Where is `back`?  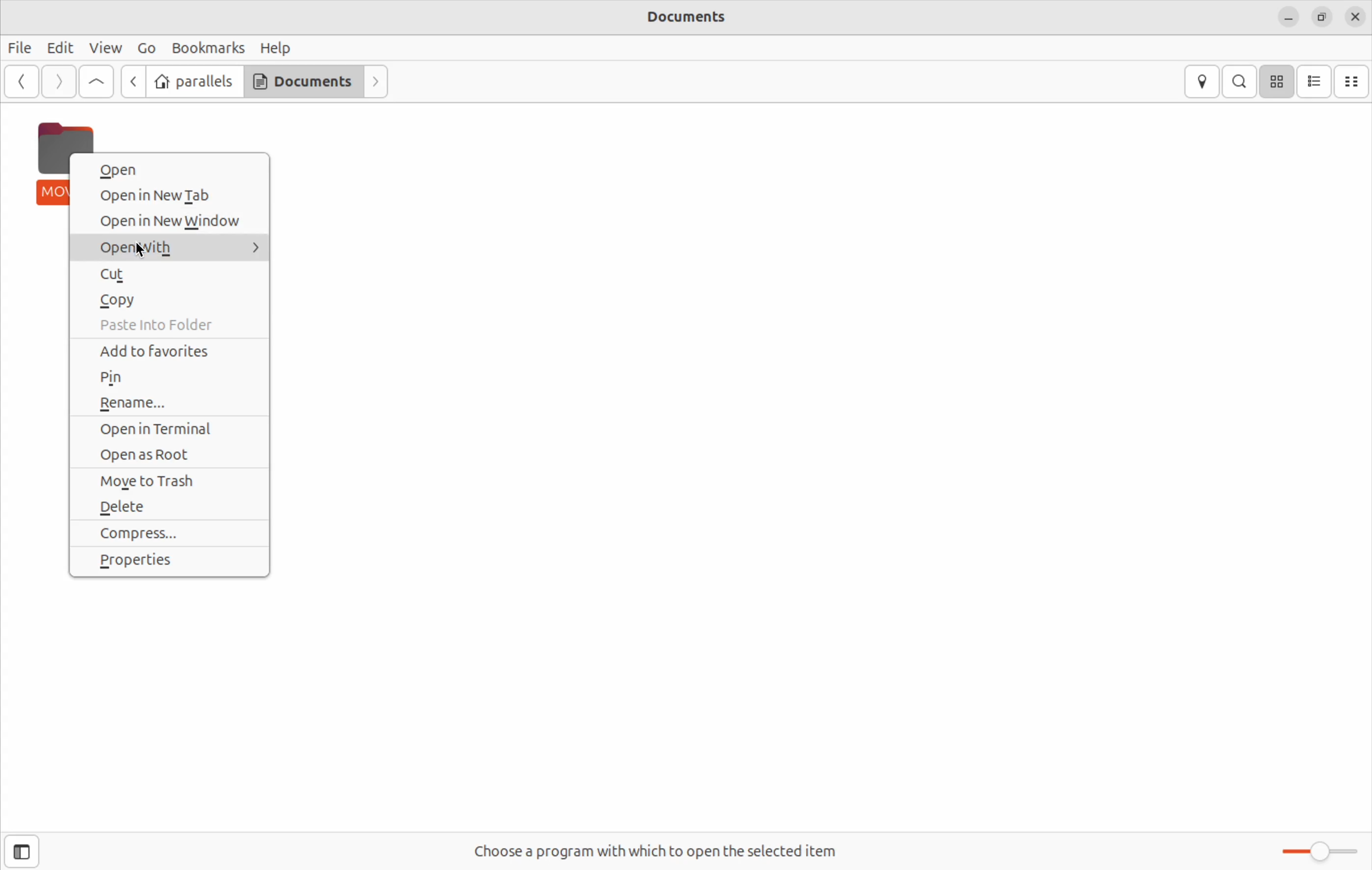 back is located at coordinates (20, 83).